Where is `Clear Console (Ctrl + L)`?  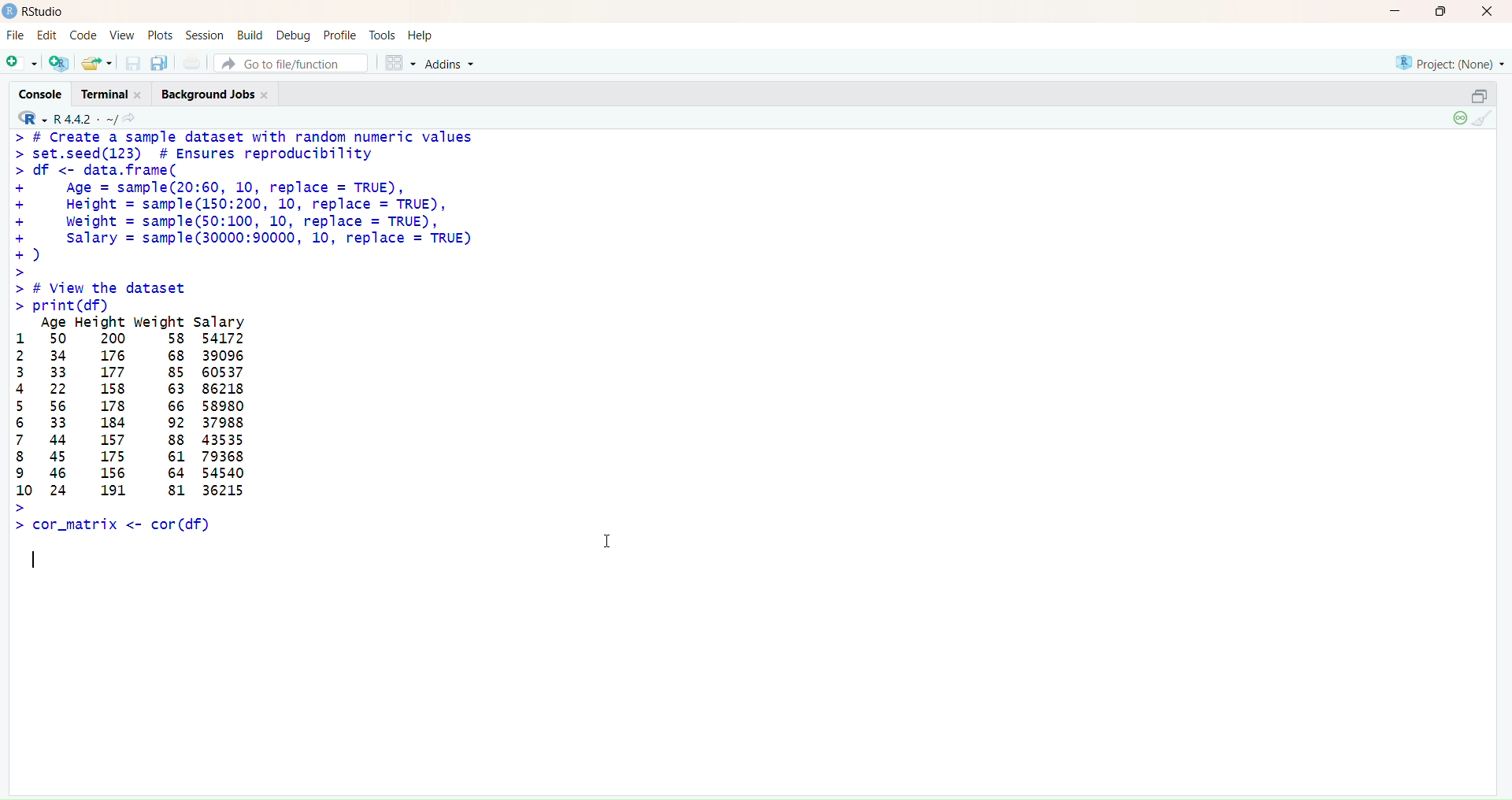 Clear Console (Ctrl + L) is located at coordinates (1485, 120).